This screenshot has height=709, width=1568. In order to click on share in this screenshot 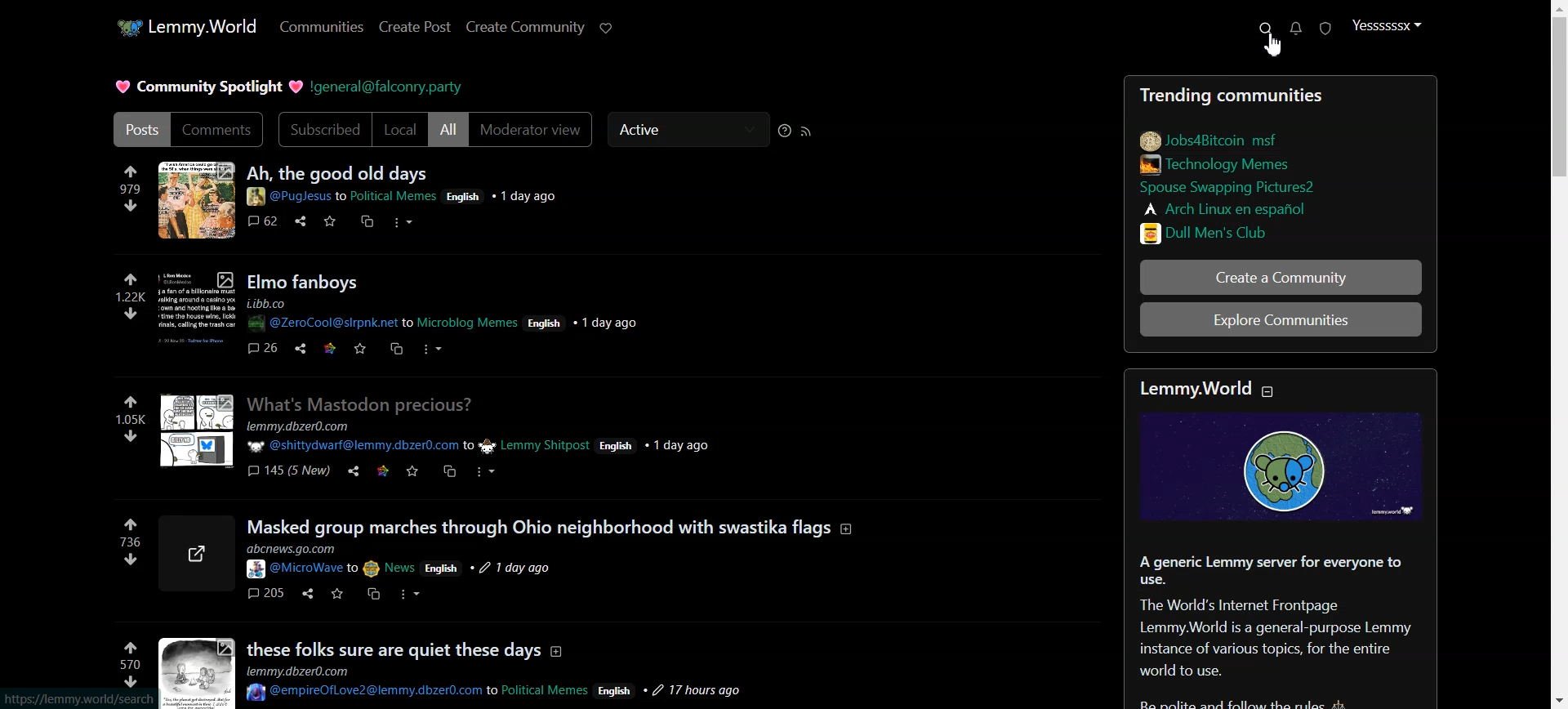, I will do `click(299, 347)`.